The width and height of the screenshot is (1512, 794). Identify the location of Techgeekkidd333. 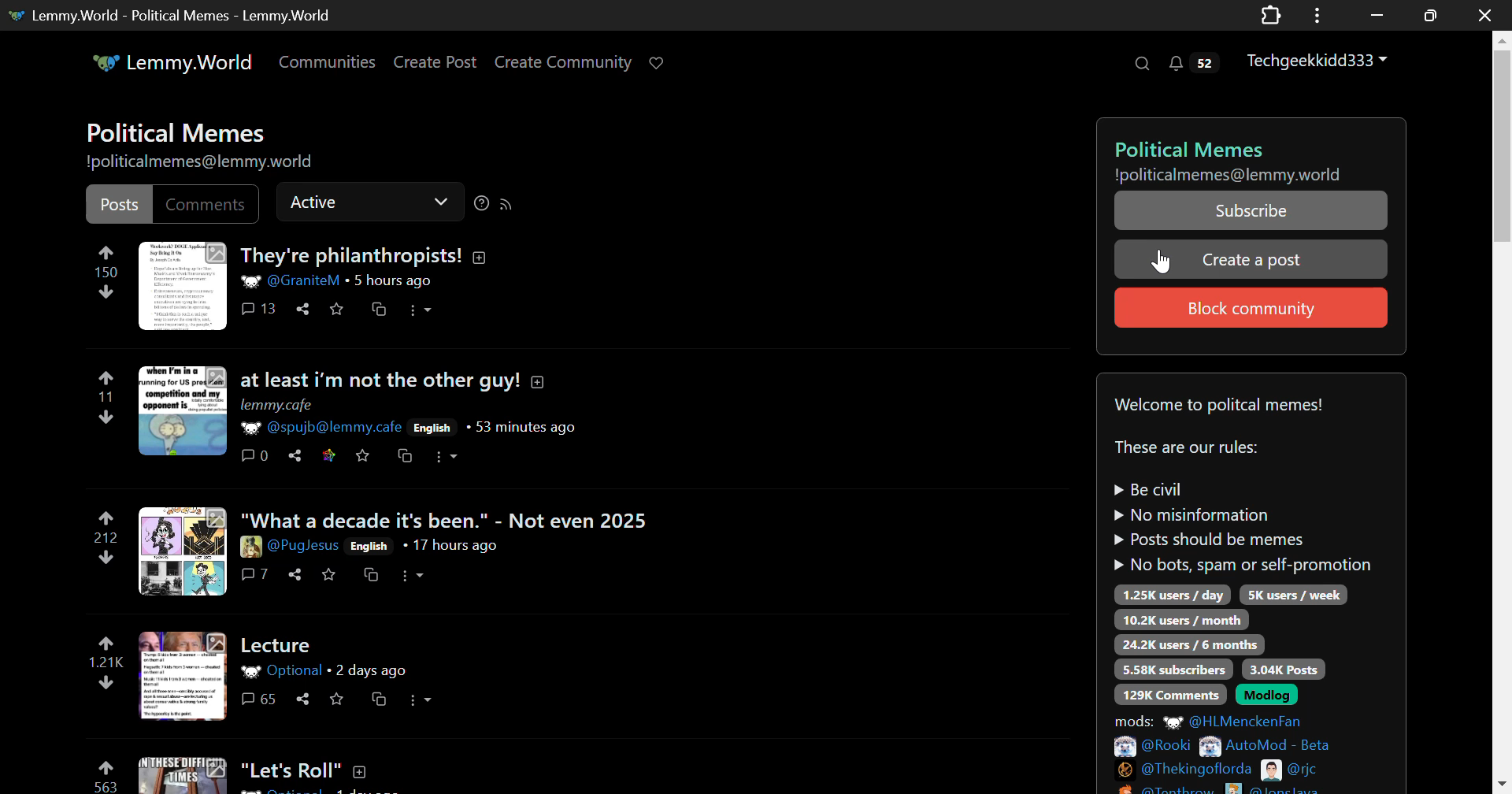
(1317, 61).